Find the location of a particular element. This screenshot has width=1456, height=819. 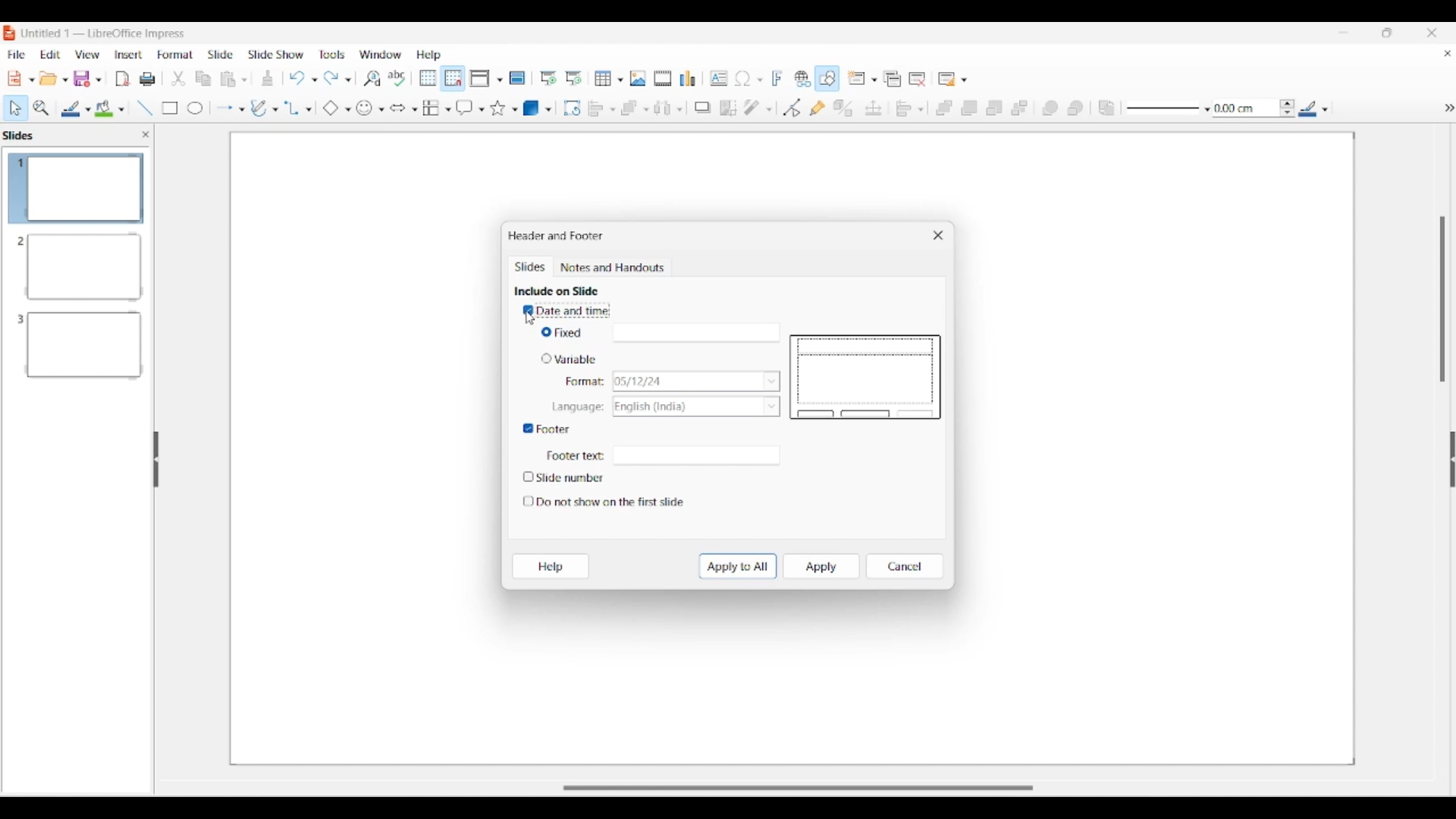

Align objects is located at coordinates (909, 108).